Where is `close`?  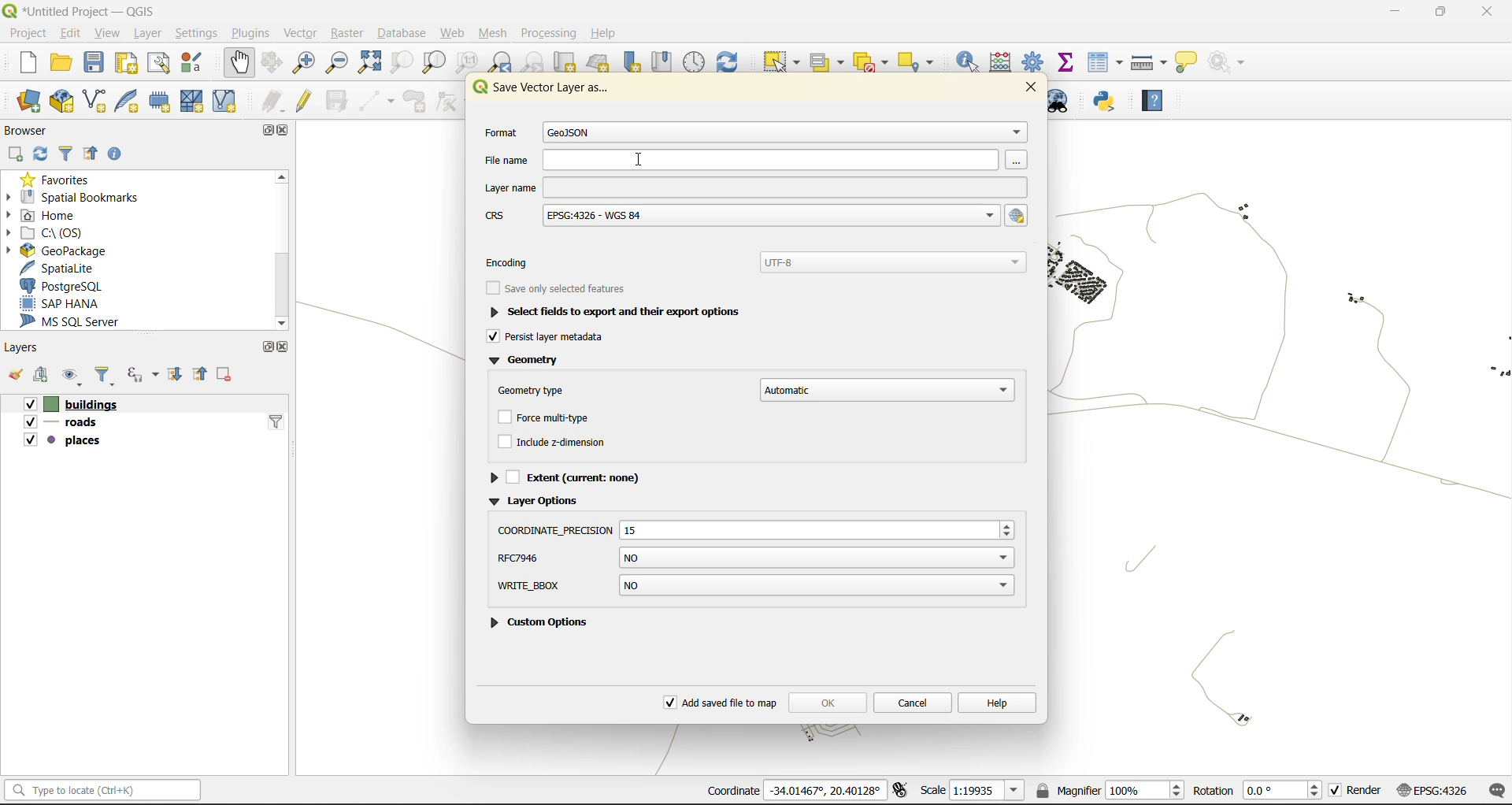 close is located at coordinates (1487, 13).